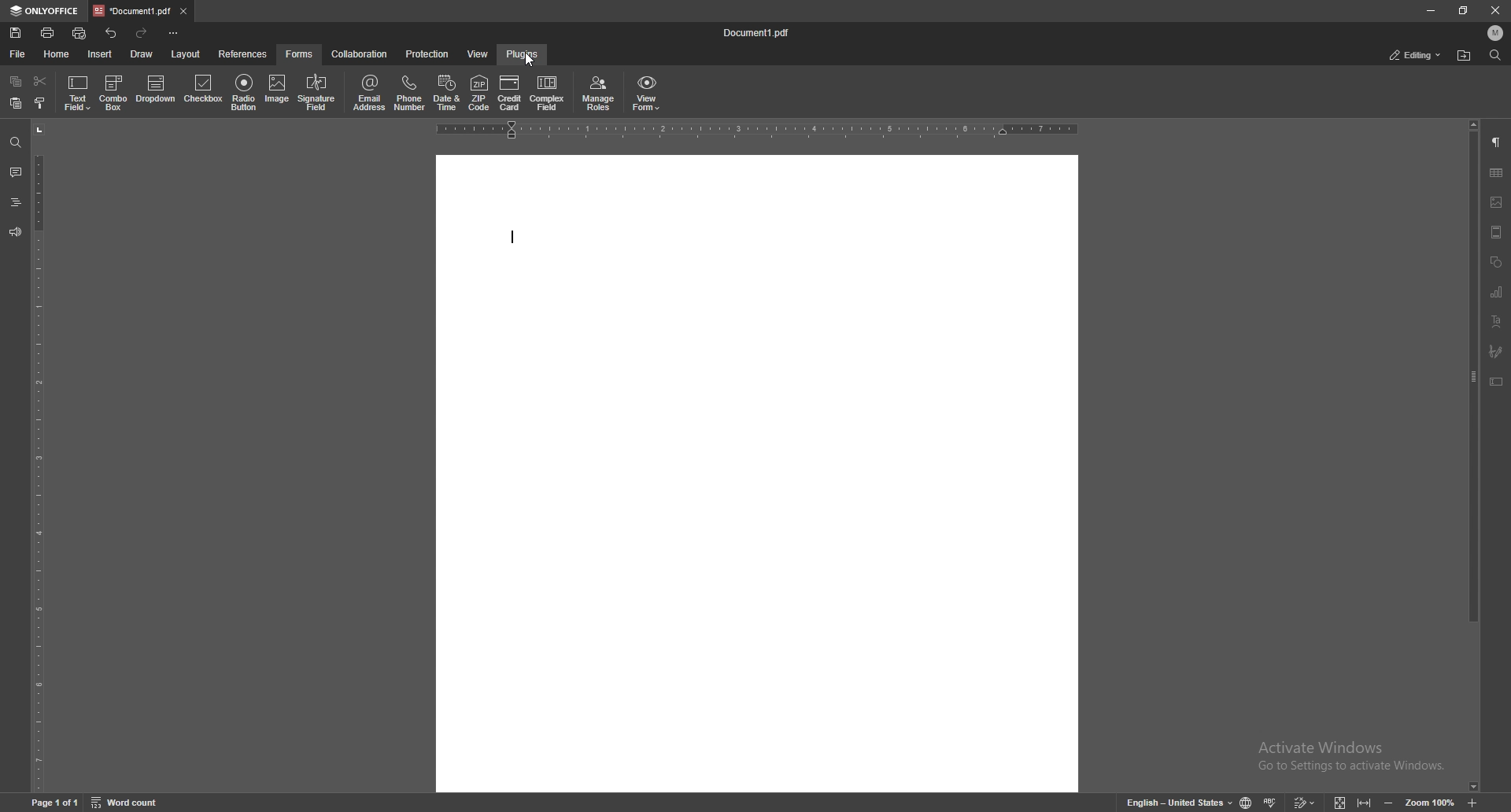 This screenshot has width=1511, height=812. What do you see at coordinates (1496, 382) in the screenshot?
I see `text box` at bounding box center [1496, 382].